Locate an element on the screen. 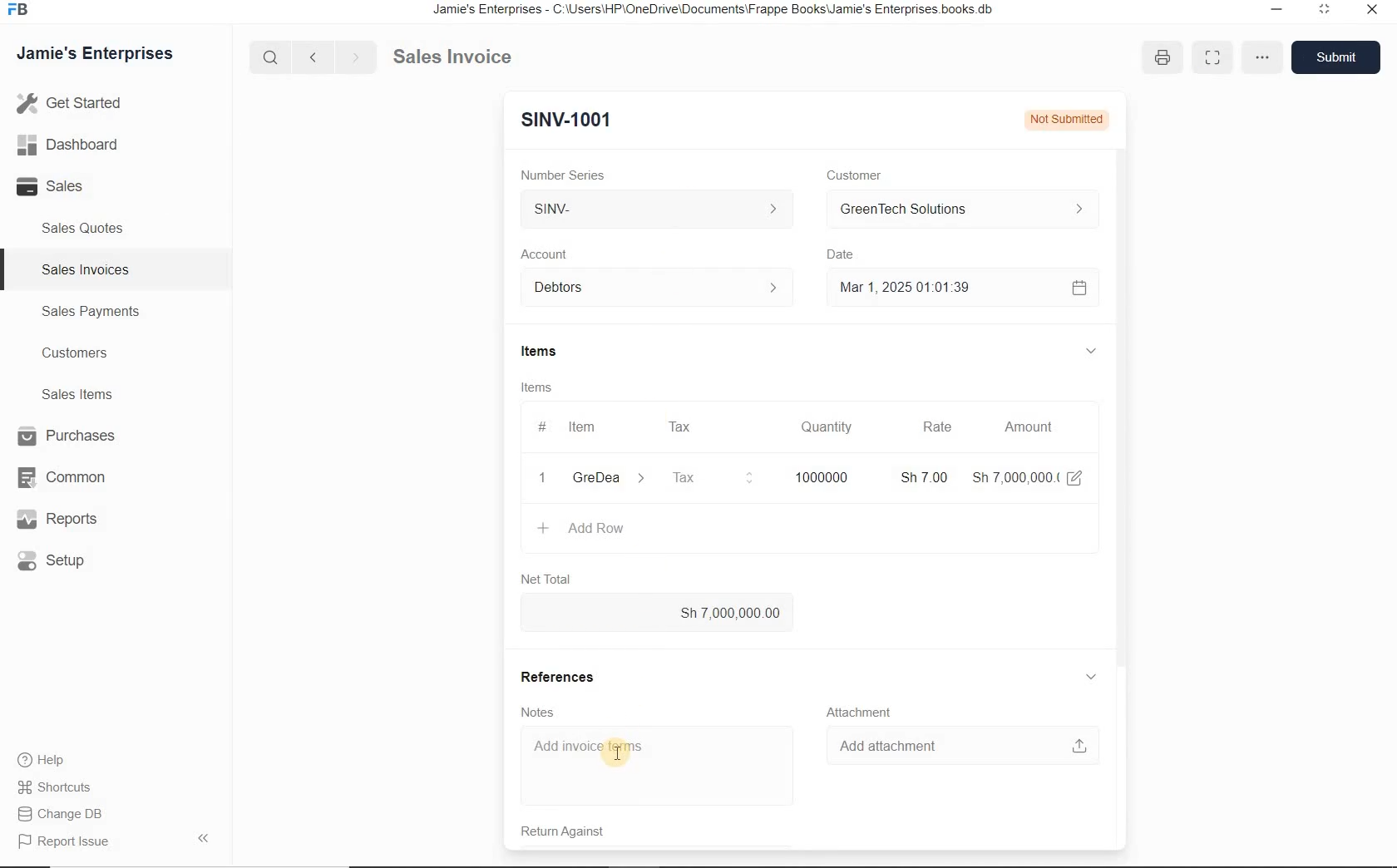 Image resolution: width=1397 pixels, height=868 pixels. Sales Payments is located at coordinates (91, 312).